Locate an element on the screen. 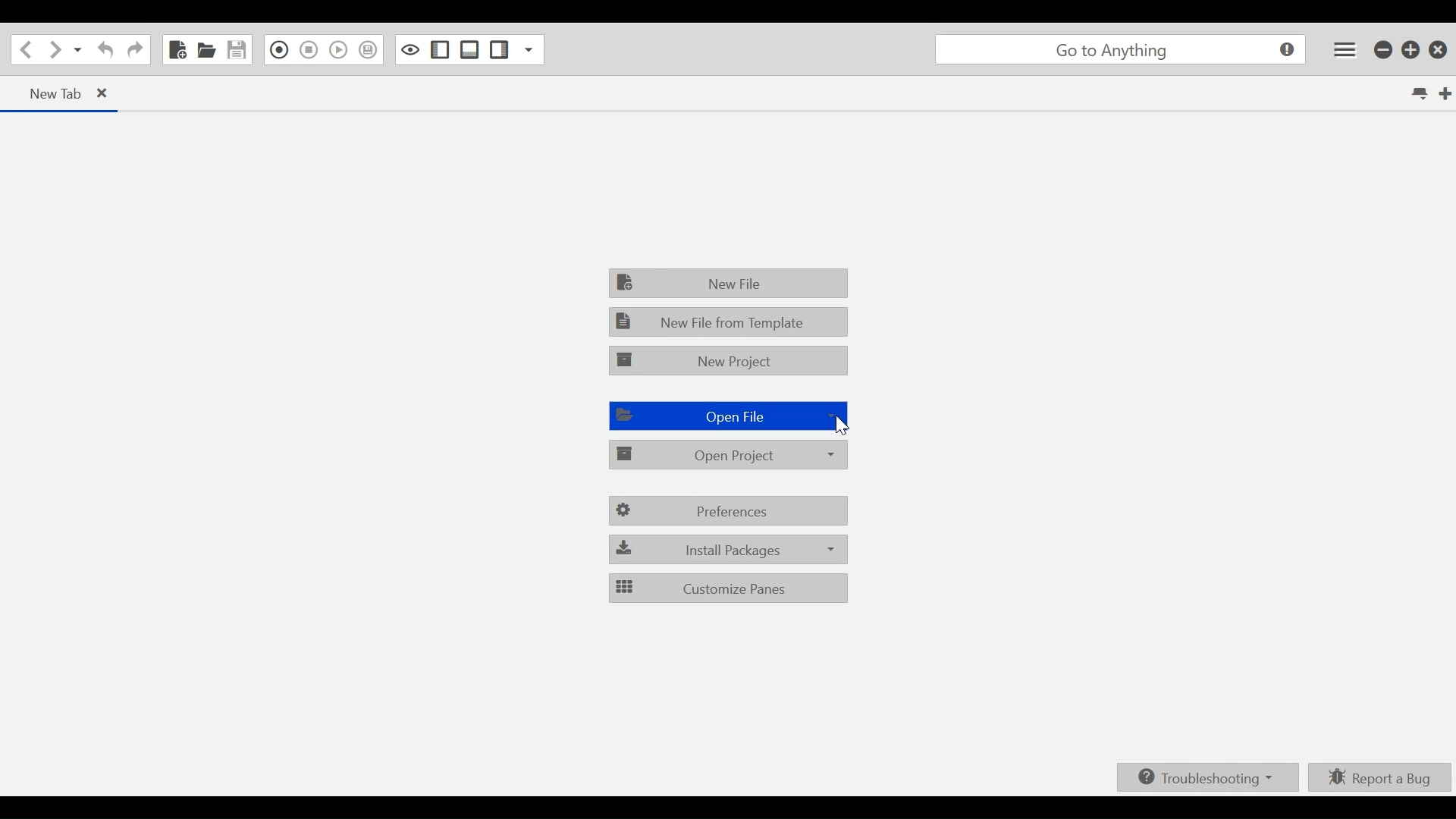  New File is located at coordinates (727, 284).